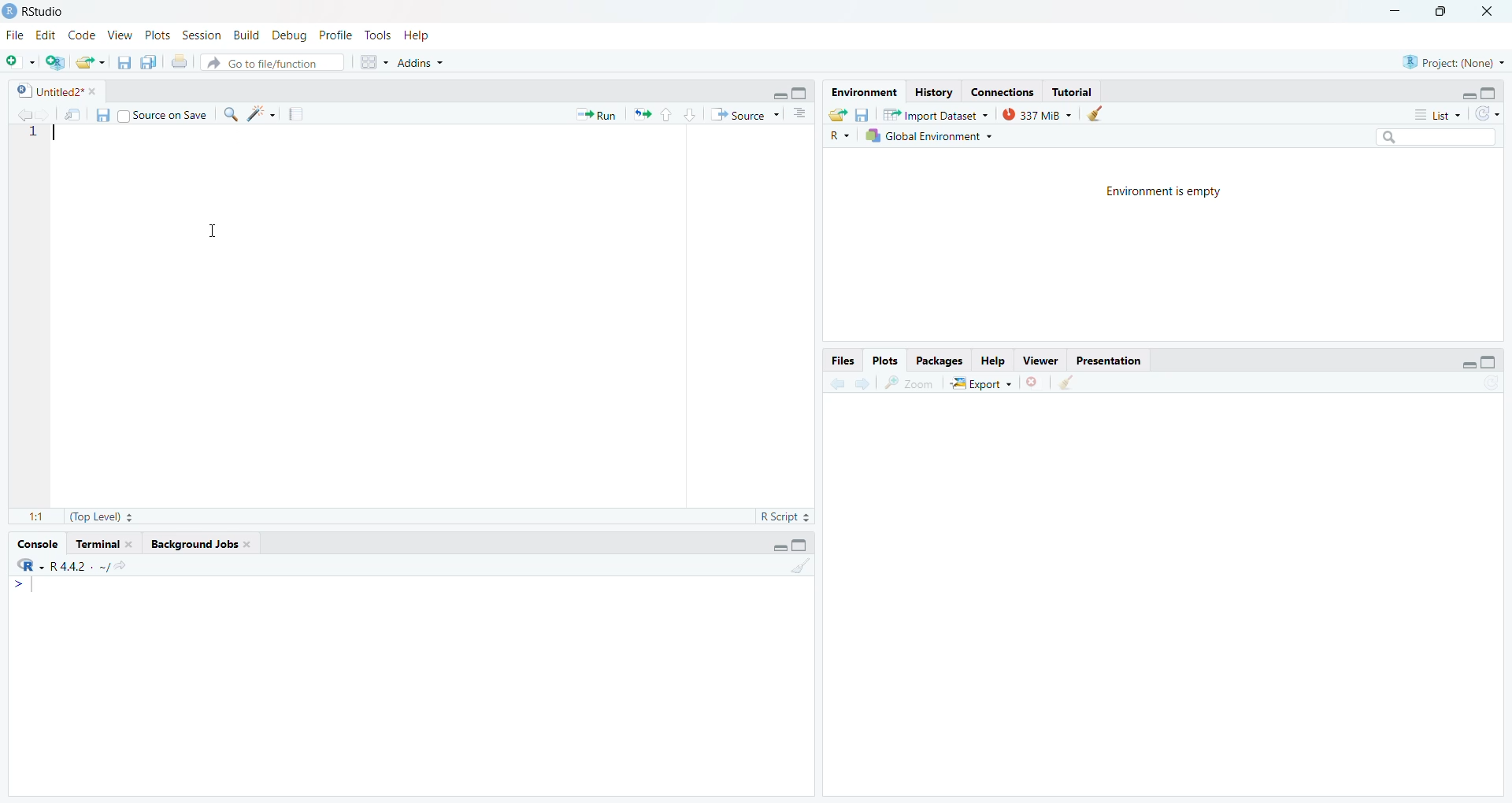 The image size is (1512, 803). Describe the element at coordinates (862, 114) in the screenshot. I see `save` at that location.